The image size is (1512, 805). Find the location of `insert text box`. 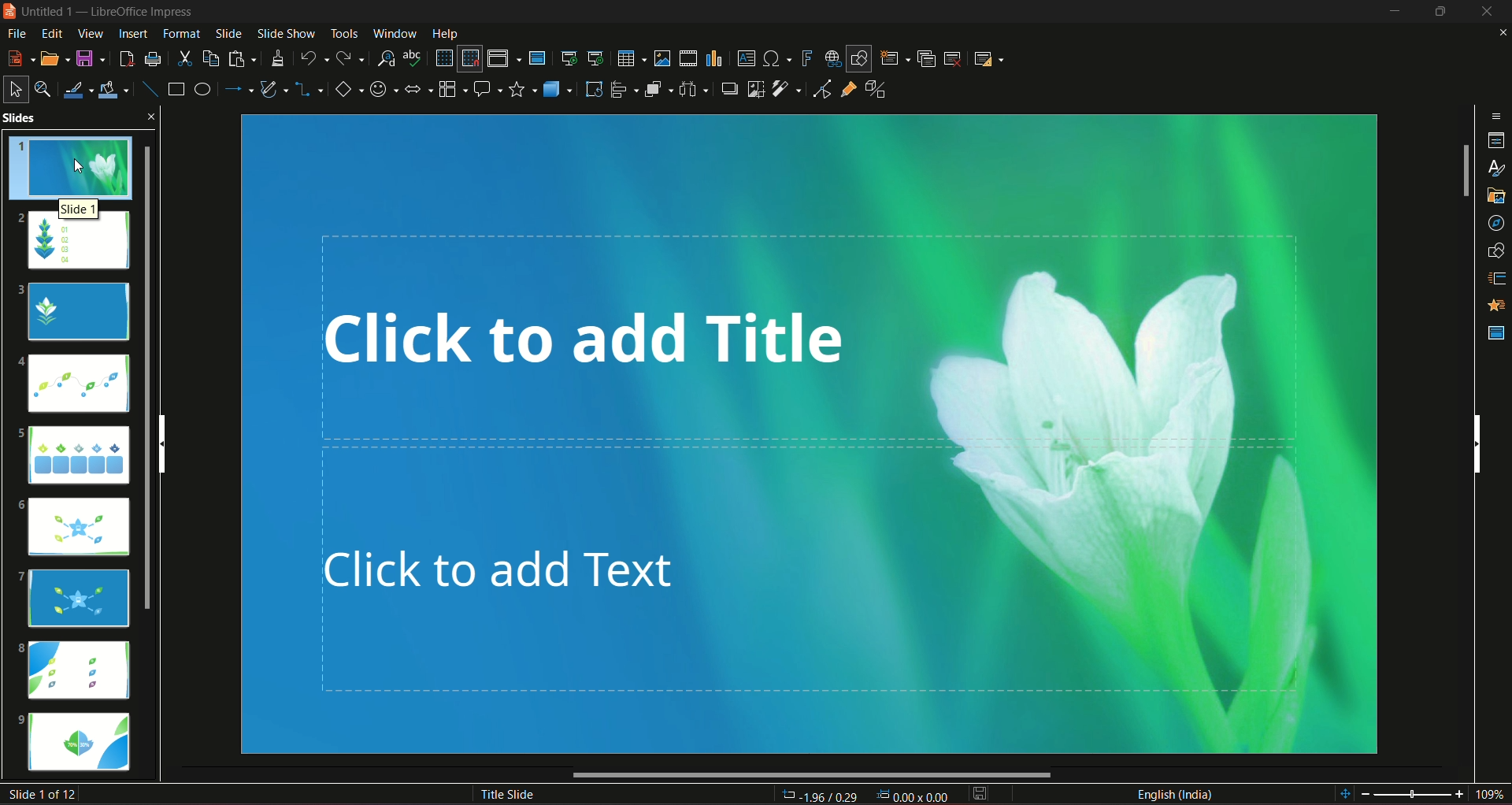

insert text box is located at coordinates (746, 57).